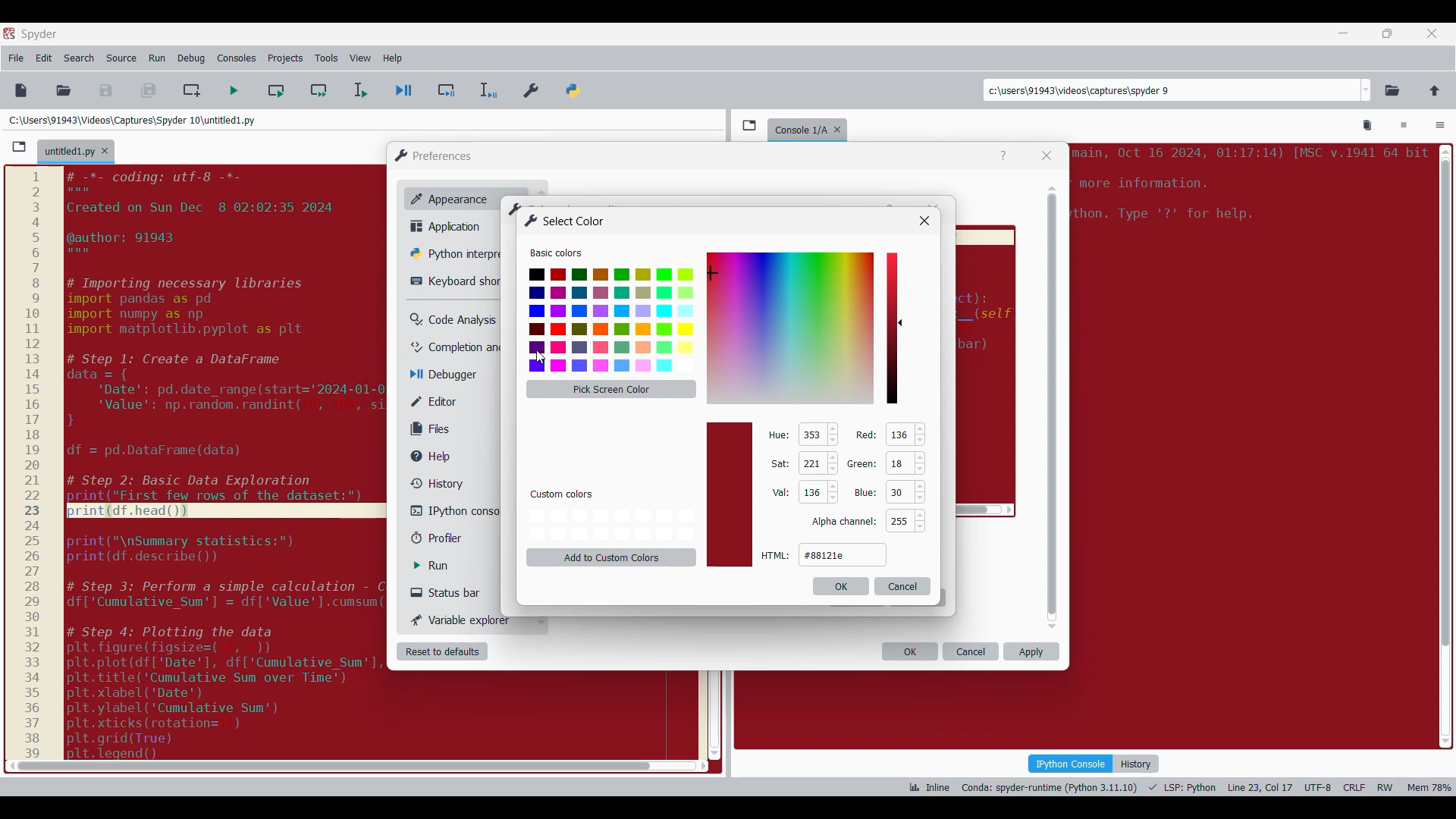  I want to click on PYTHONPATH manager, so click(576, 87).